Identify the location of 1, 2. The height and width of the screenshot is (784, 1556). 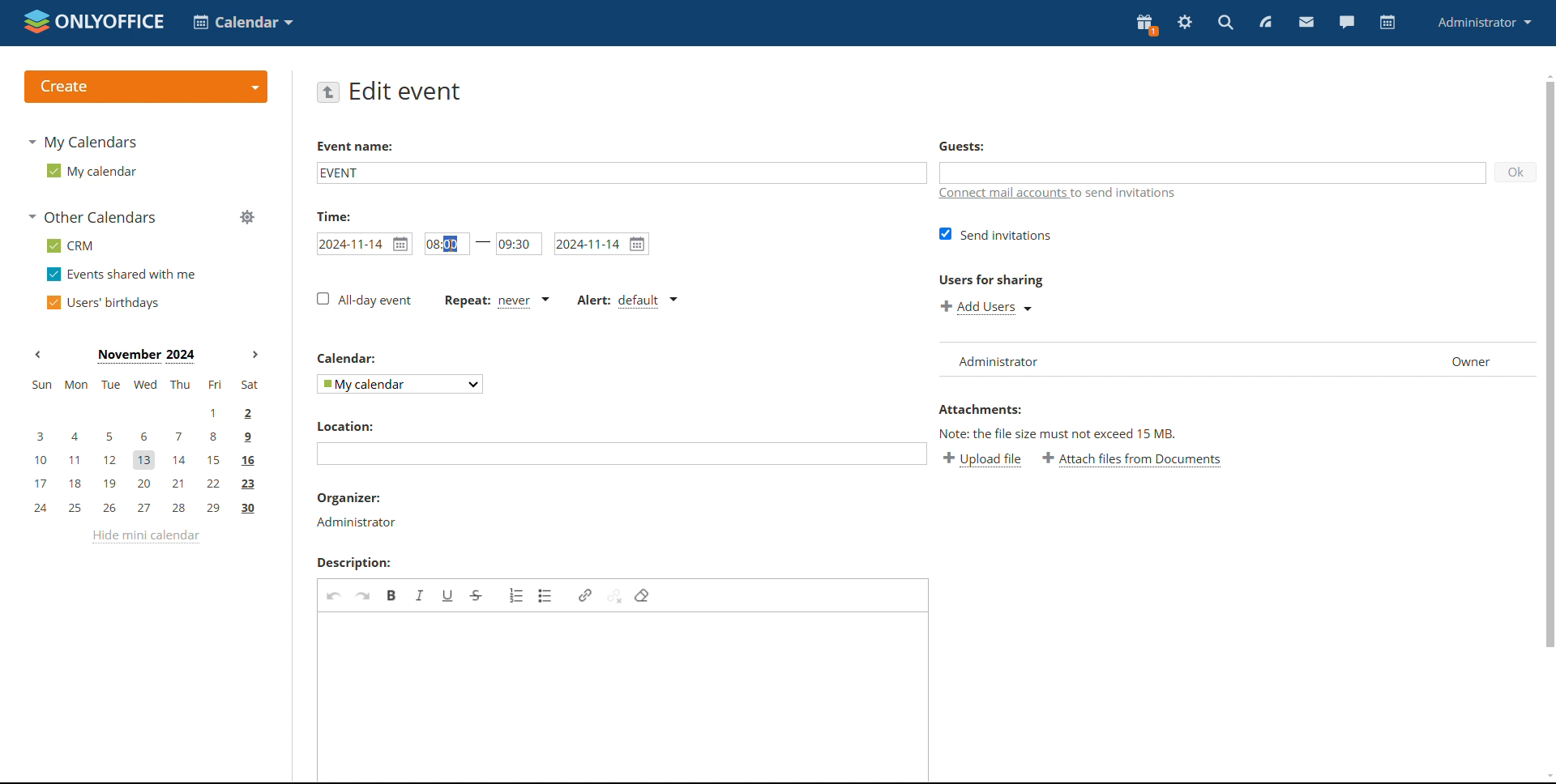
(144, 411).